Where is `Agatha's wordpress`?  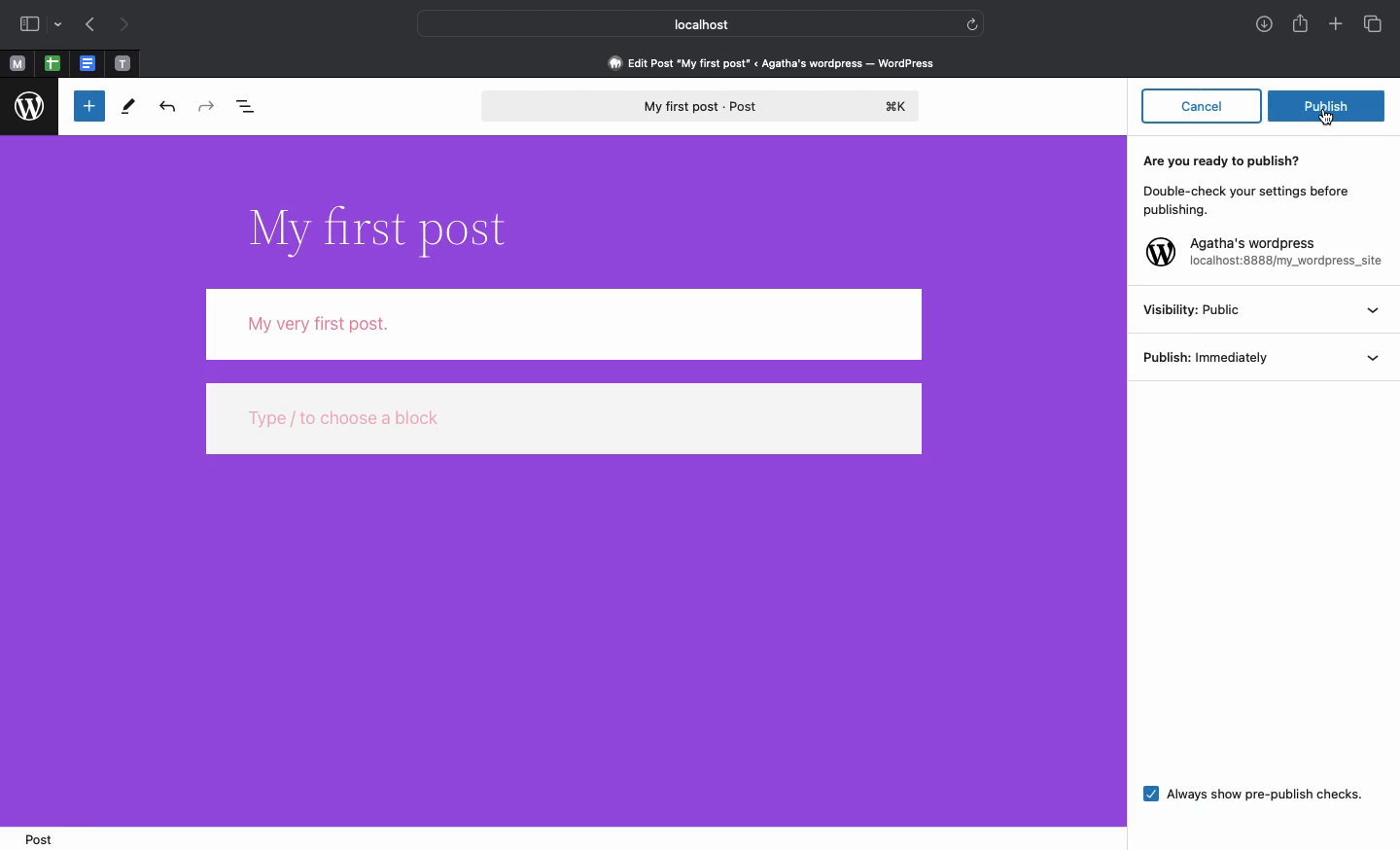 Agatha's wordpress is located at coordinates (1264, 258).